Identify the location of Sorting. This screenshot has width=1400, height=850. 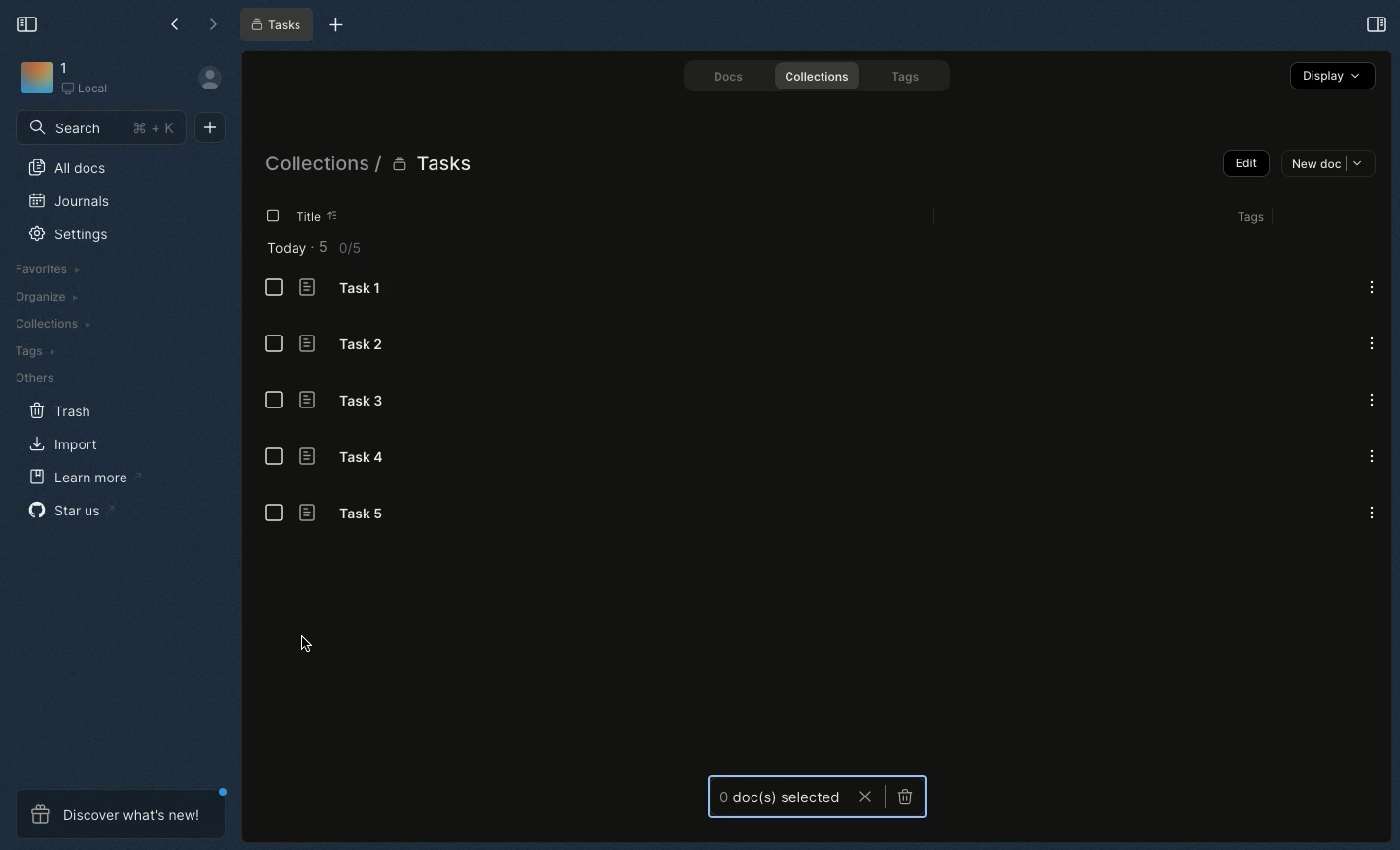
(346, 215).